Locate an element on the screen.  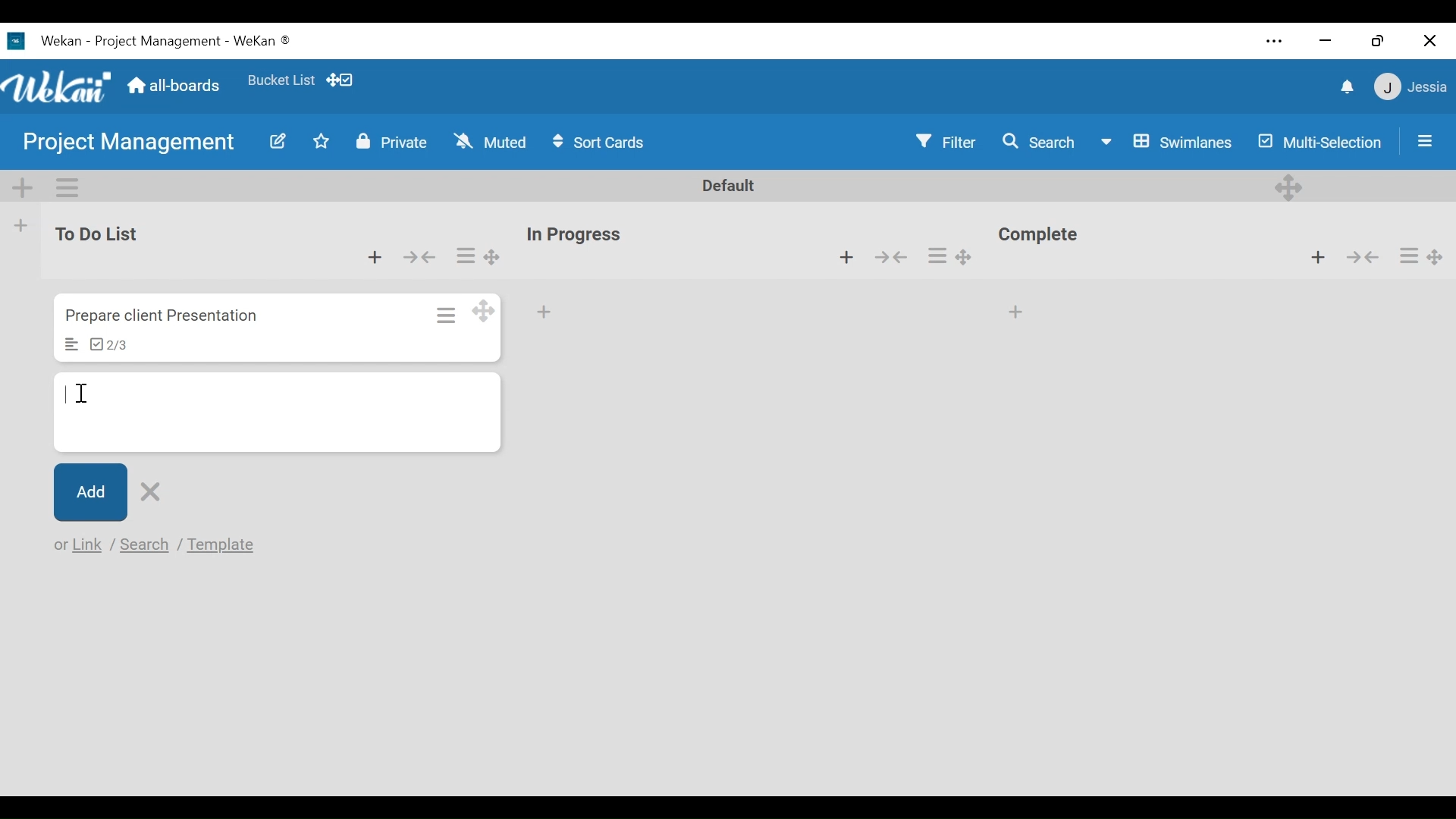
Collapse is located at coordinates (422, 256).